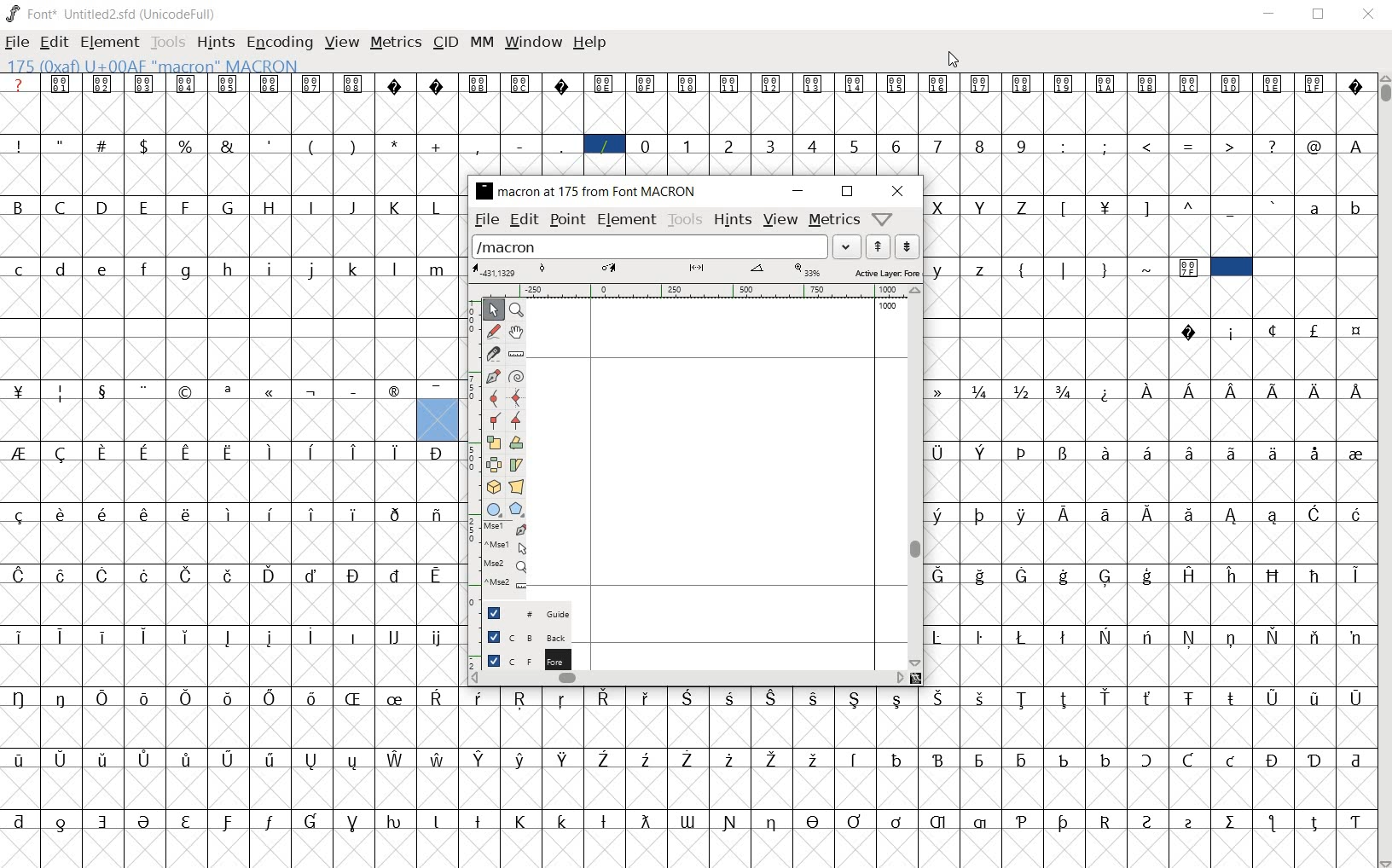  Describe the element at coordinates (514, 466) in the screenshot. I see `skew` at that location.